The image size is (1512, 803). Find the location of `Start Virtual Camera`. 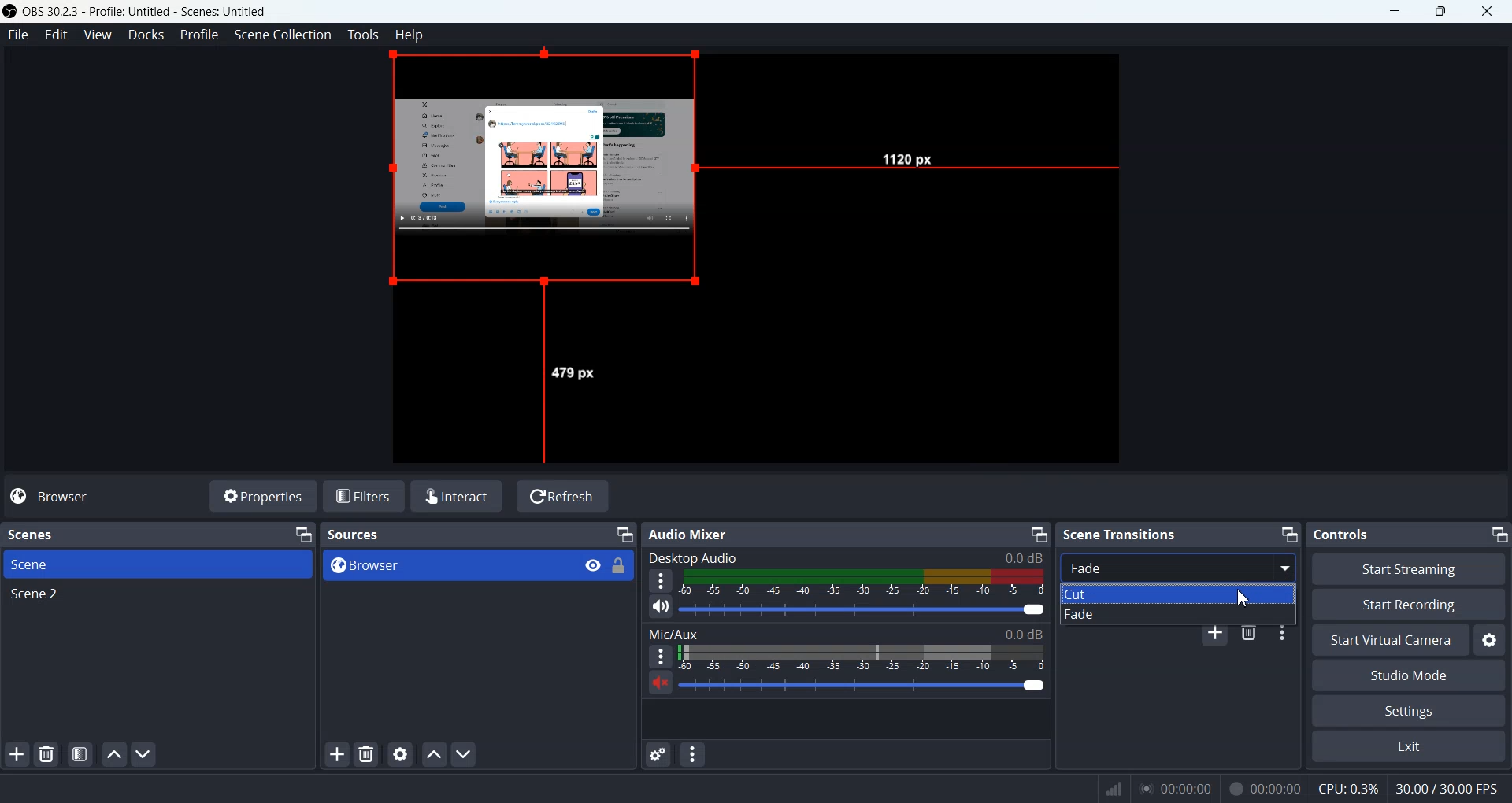

Start Virtual Camera is located at coordinates (1389, 640).